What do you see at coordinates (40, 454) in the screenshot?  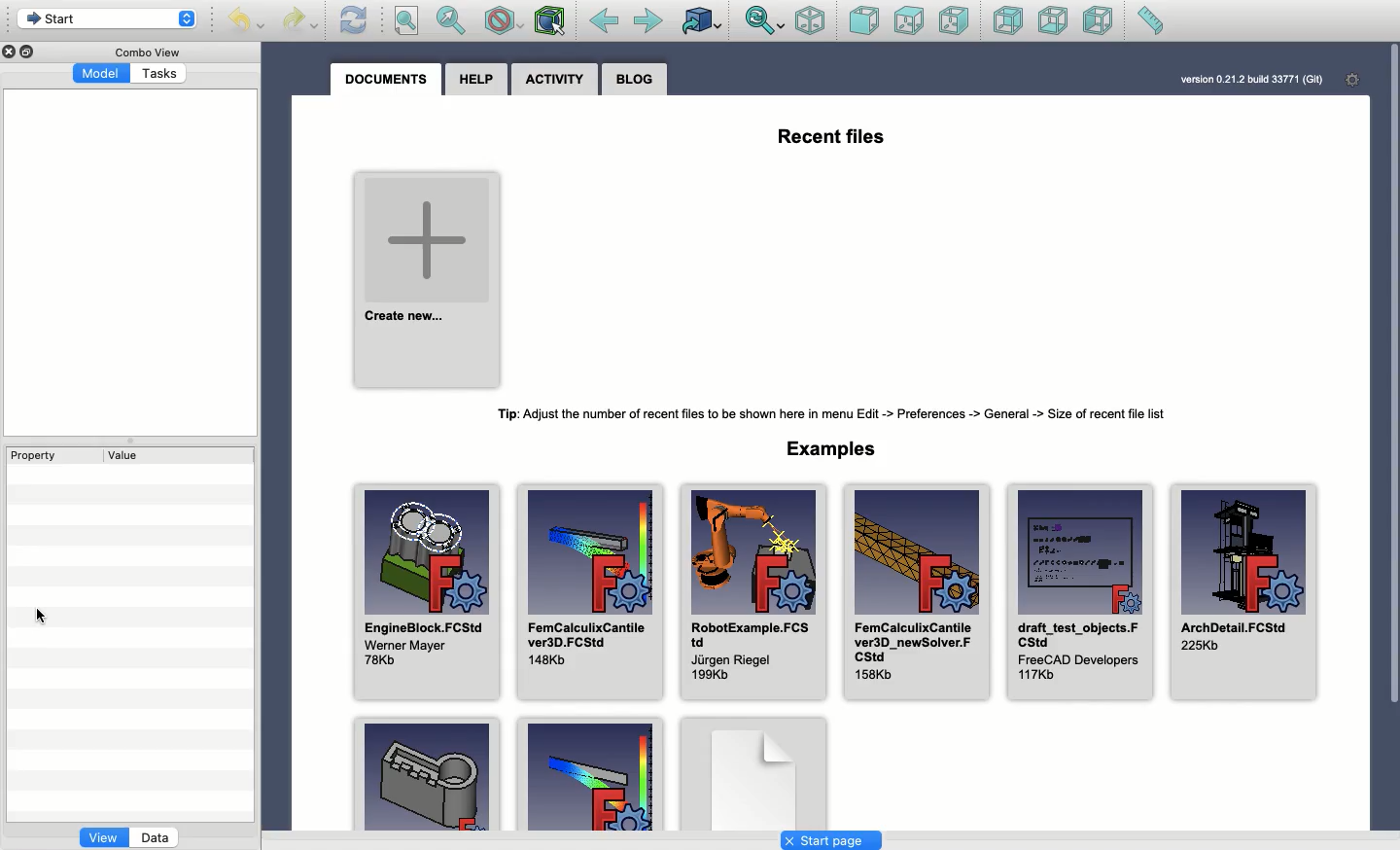 I see `Property ` at bounding box center [40, 454].